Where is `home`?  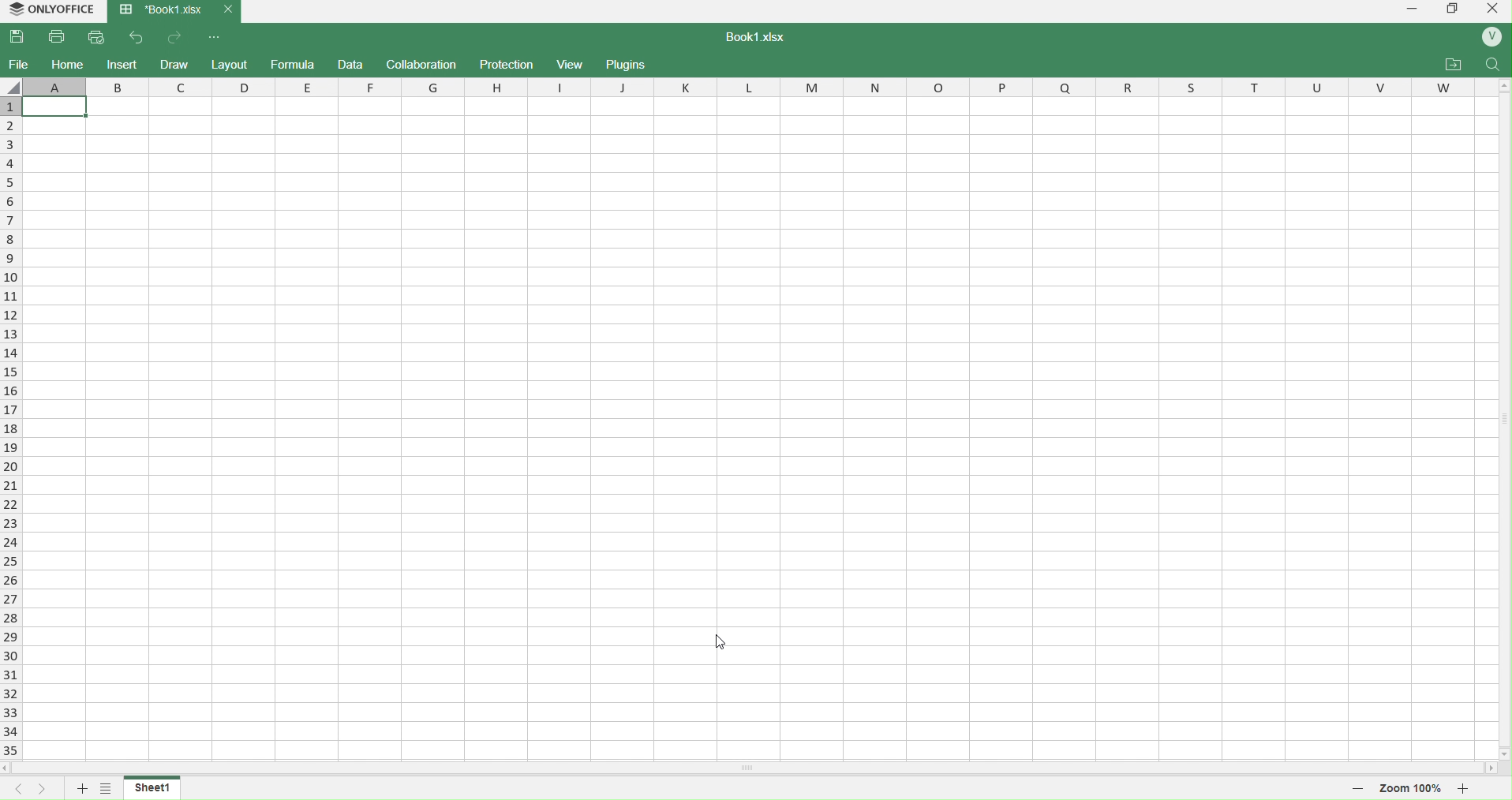 home is located at coordinates (68, 64).